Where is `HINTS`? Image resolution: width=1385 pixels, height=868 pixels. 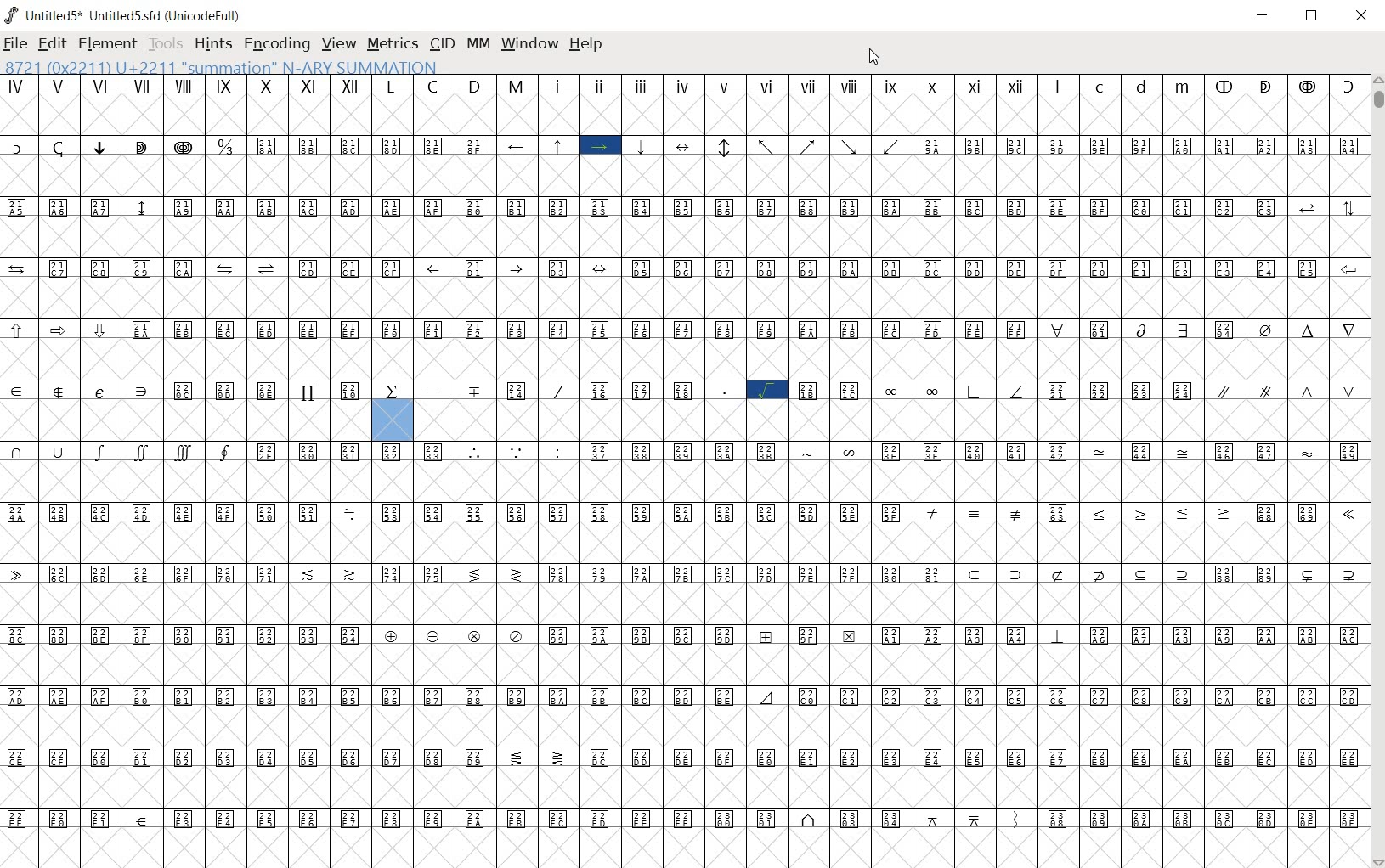
HINTS is located at coordinates (212, 44).